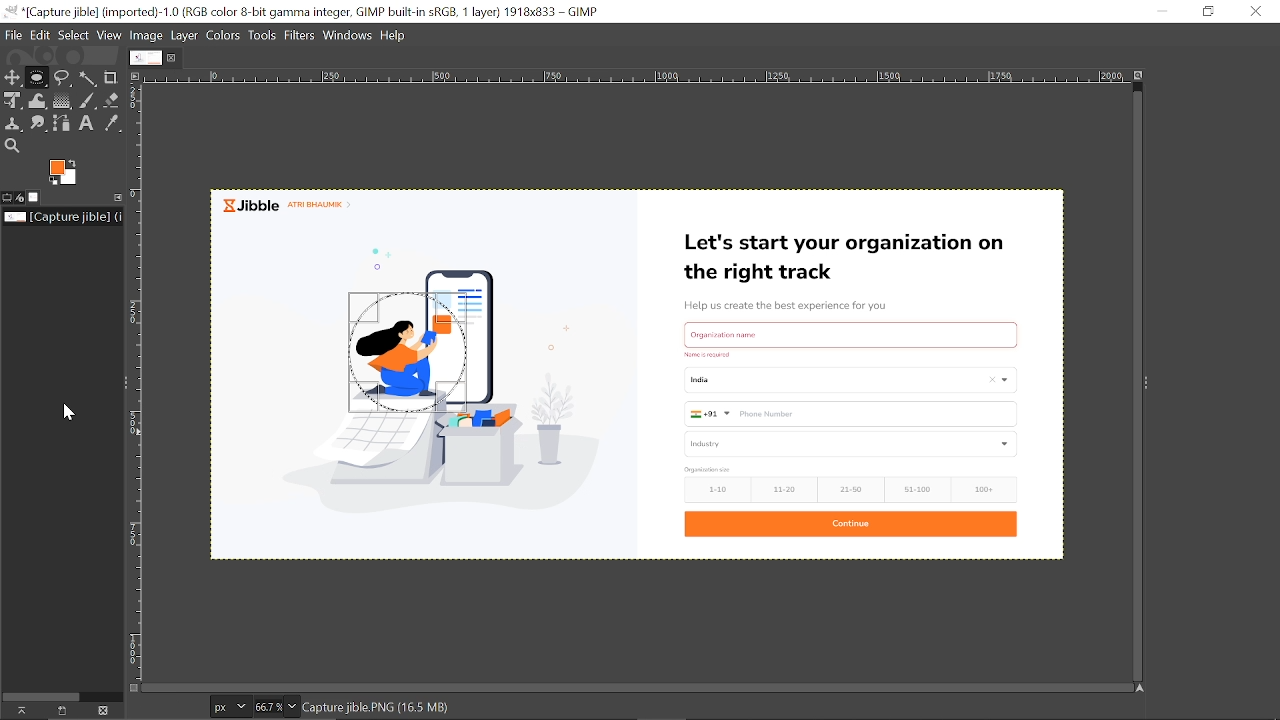  Describe the element at coordinates (1128, 381) in the screenshot. I see `vertical scroll bar` at that location.